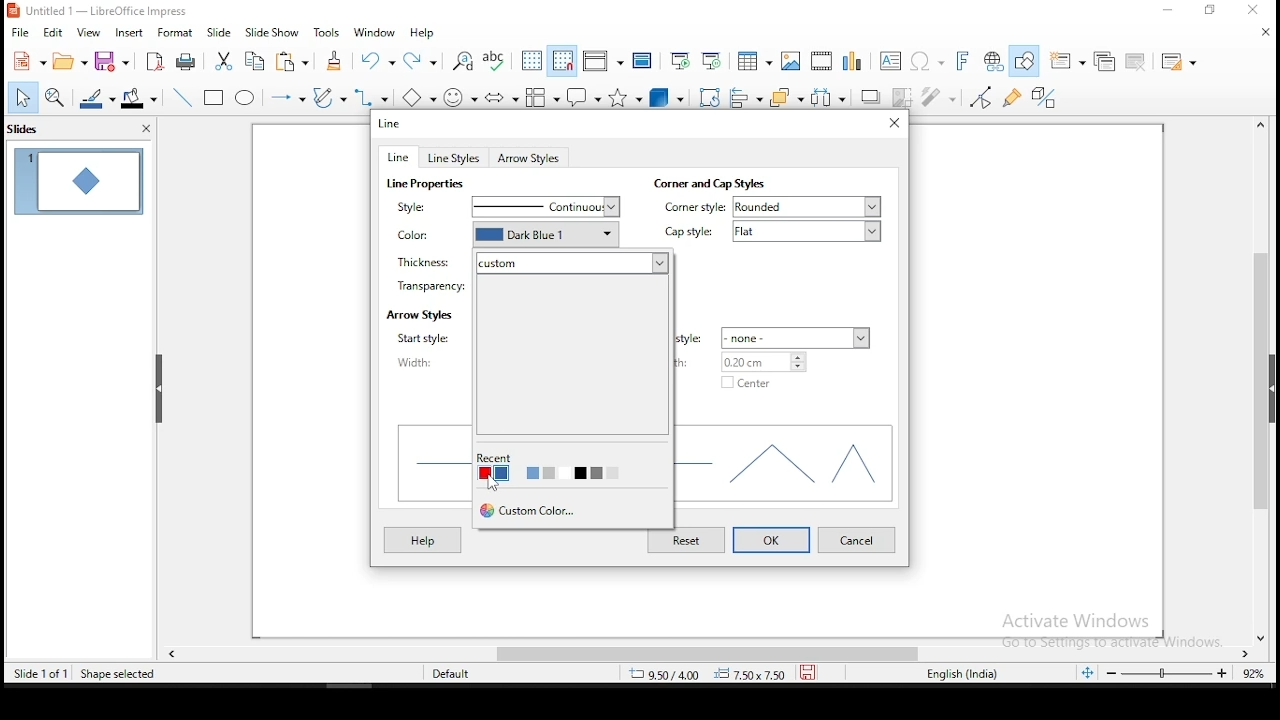 The image size is (1280, 720). What do you see at coordinates (457, 158) in the screenshot?
I see `line styles` at bounding box center [457, 158].